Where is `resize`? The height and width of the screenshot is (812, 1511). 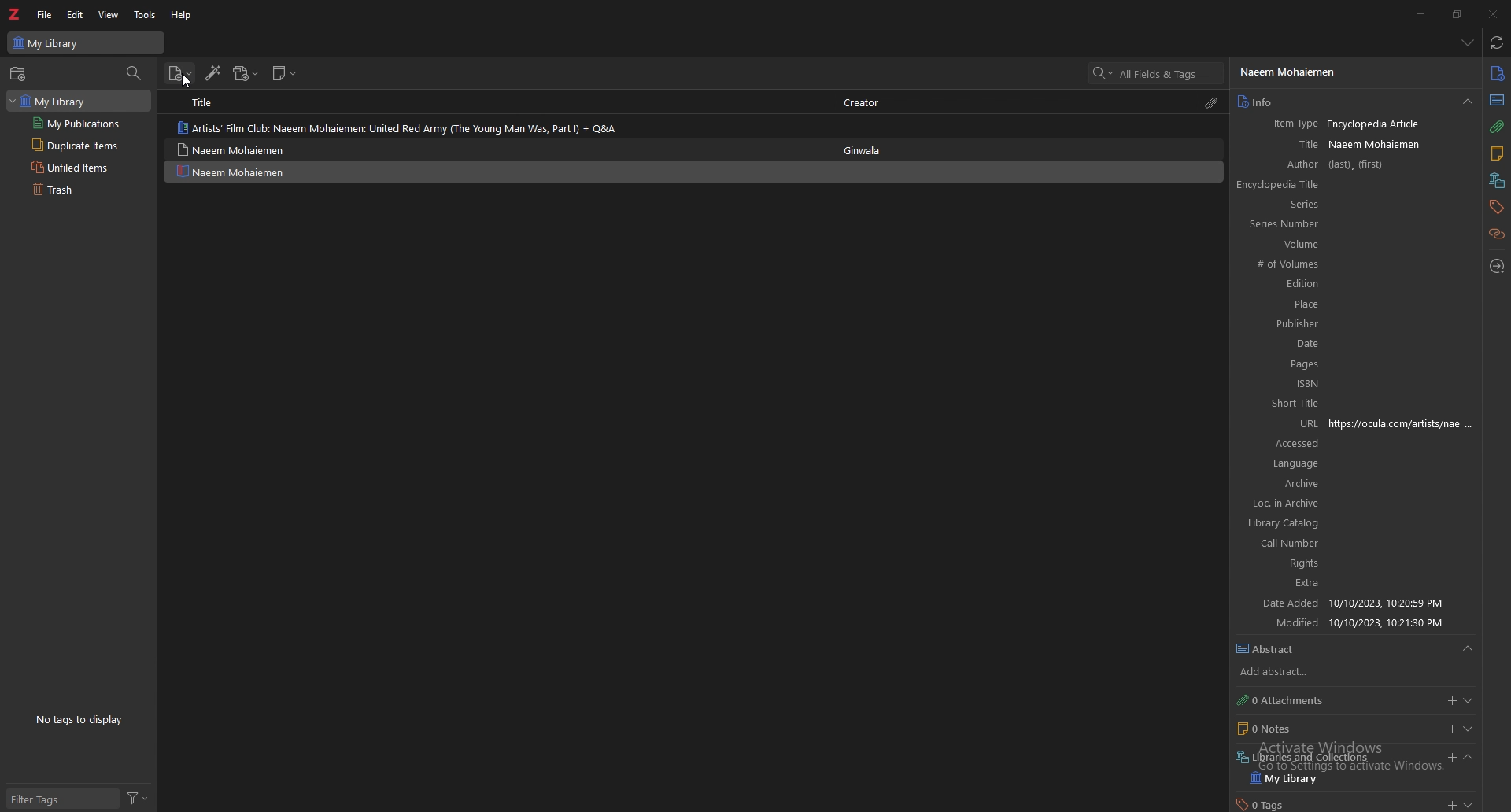
resize is located at coordinates (1459, 13).